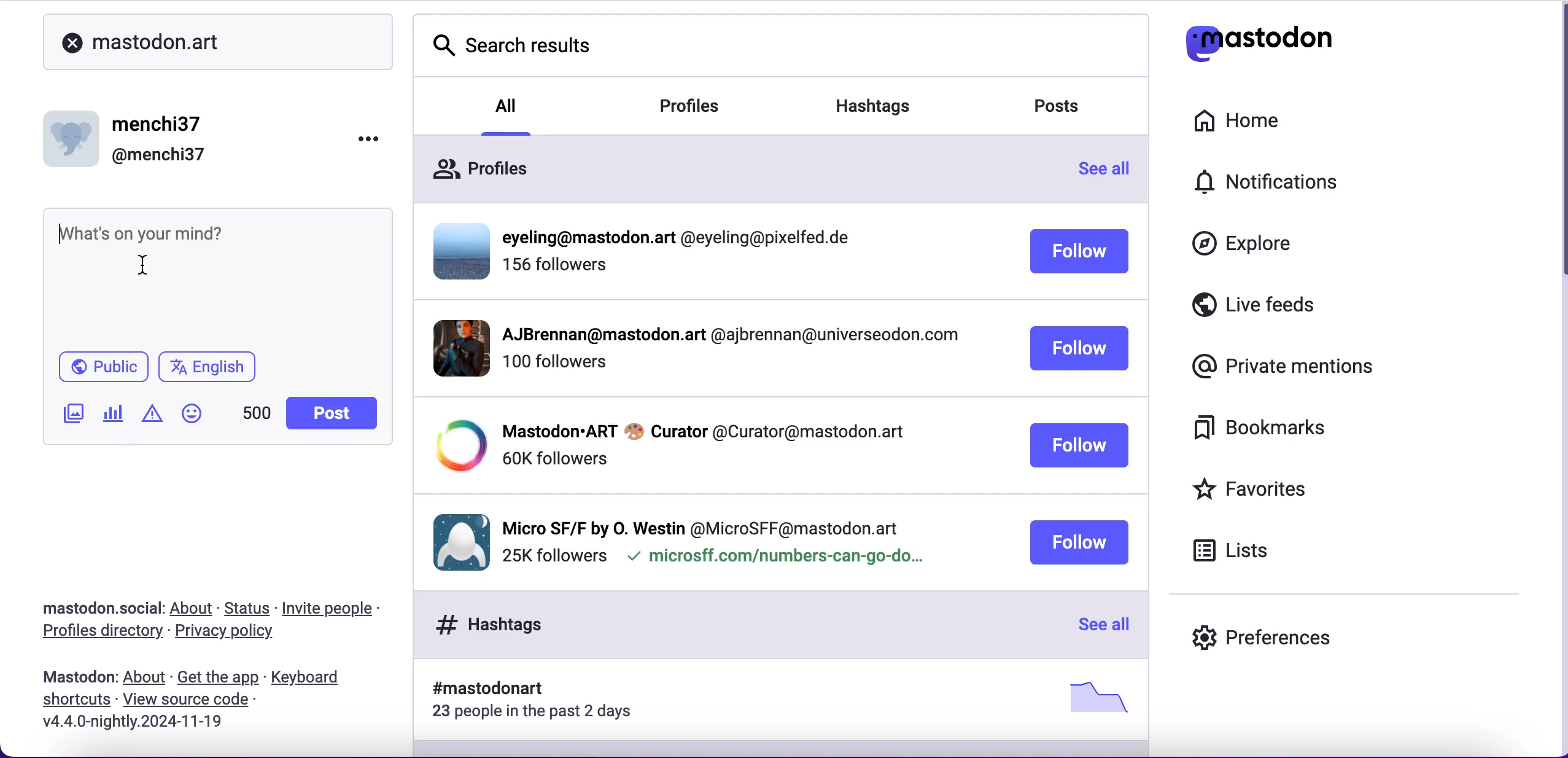  Describe the element at coordinates (1294, 186) in the screenshot. I see `notifications` at that location.